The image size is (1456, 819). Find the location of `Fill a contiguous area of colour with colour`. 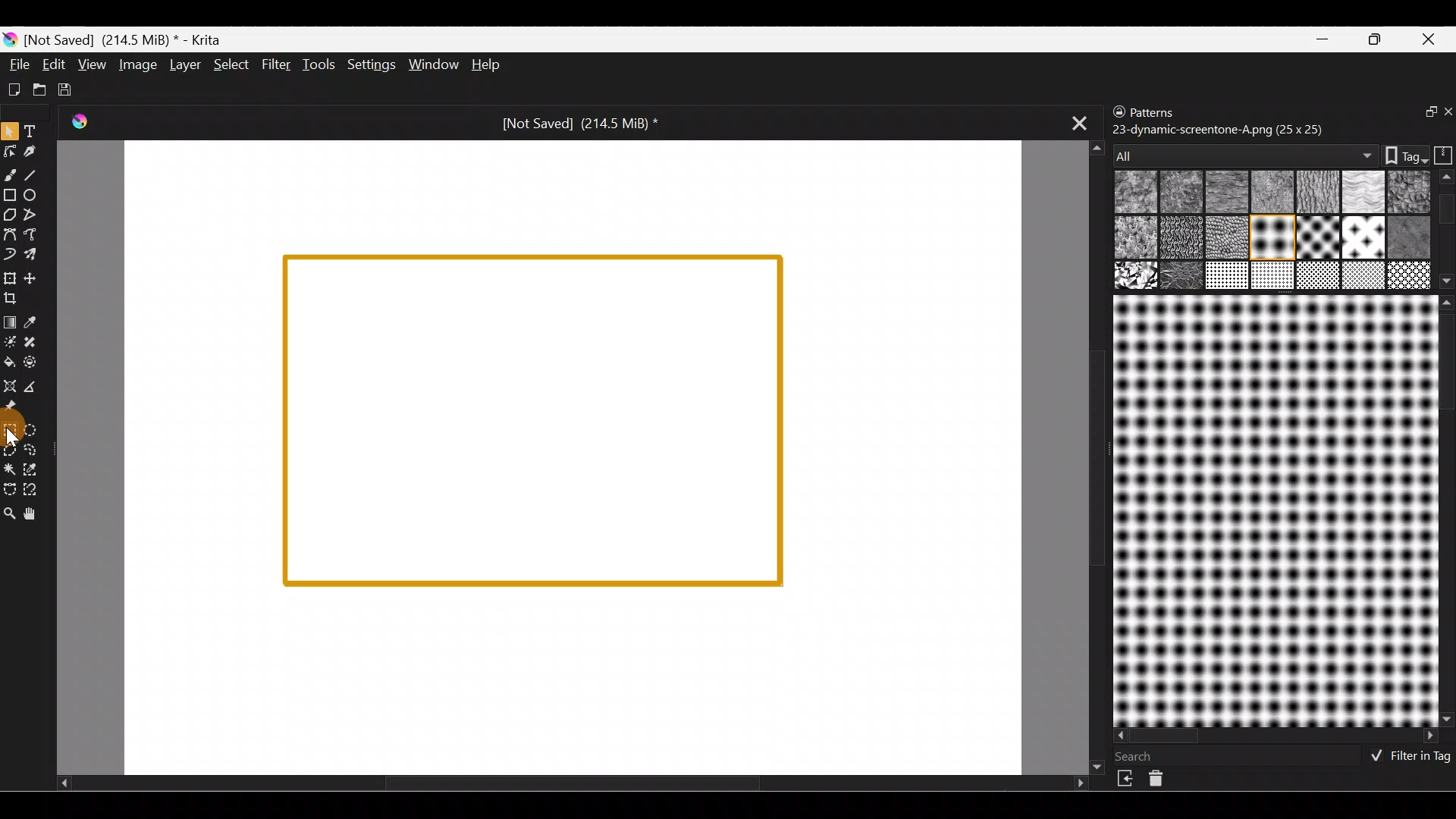

Fill a contiguous area of colour with colour is located at coordinates (10, 362).